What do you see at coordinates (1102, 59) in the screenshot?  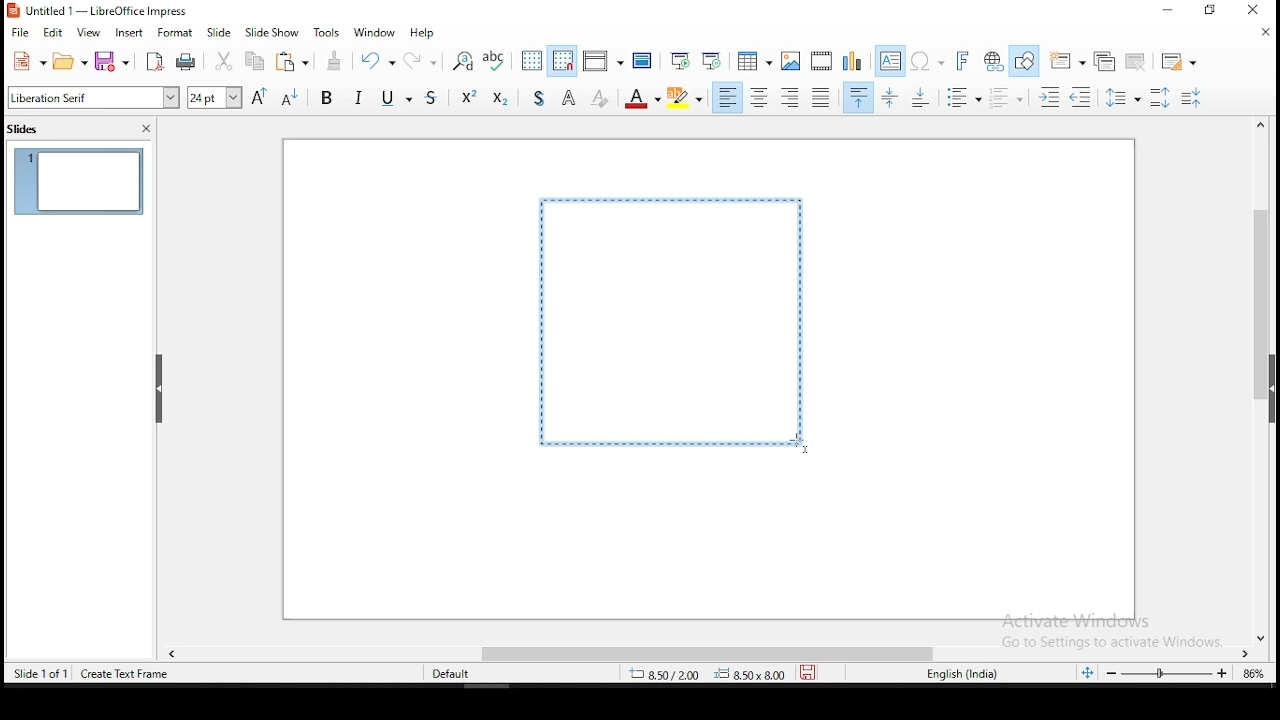 I see `duplicate slide` at bounding box center [1102, 59].